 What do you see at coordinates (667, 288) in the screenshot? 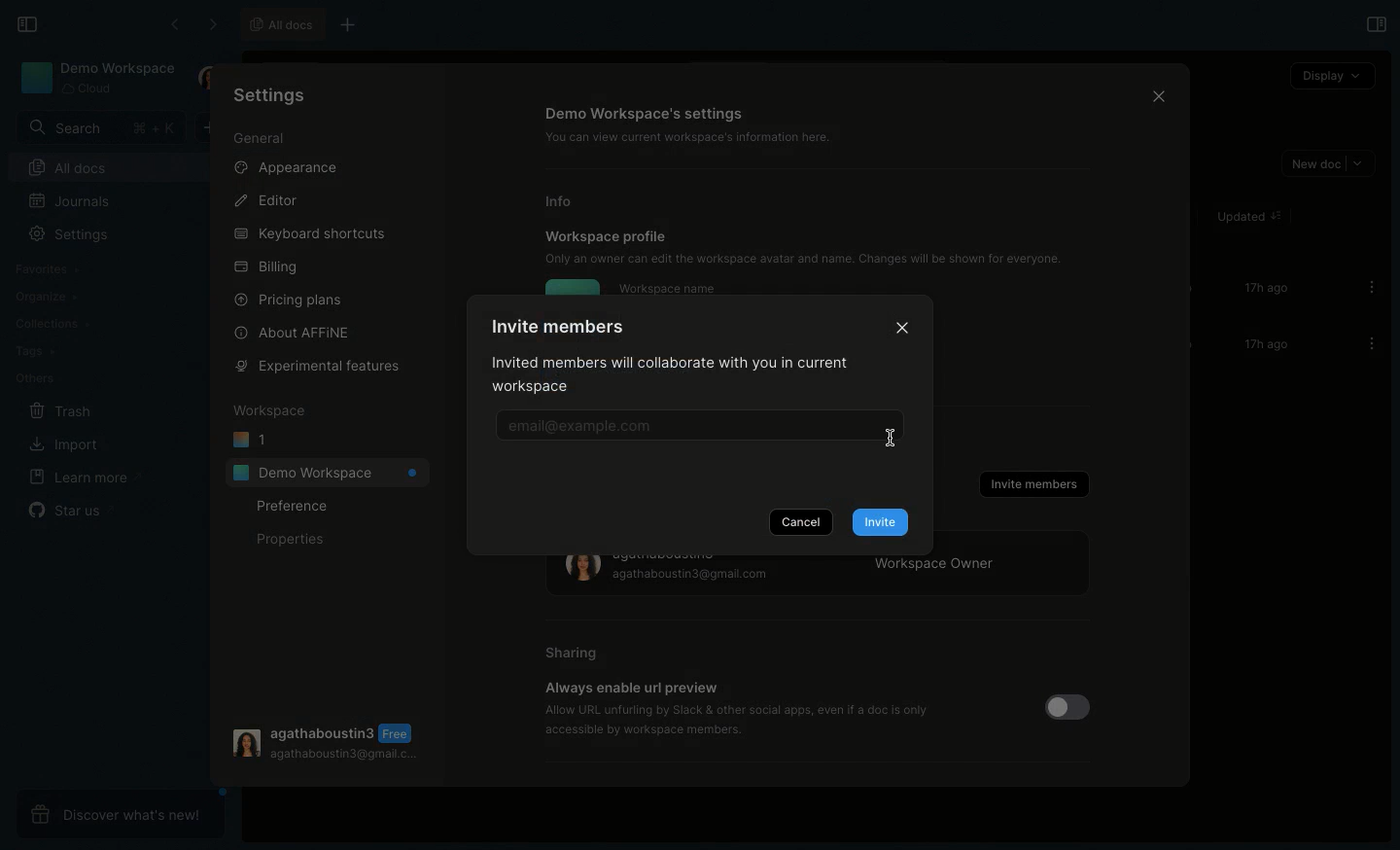
I see `Workspace name` at bounding box center [667, 288].